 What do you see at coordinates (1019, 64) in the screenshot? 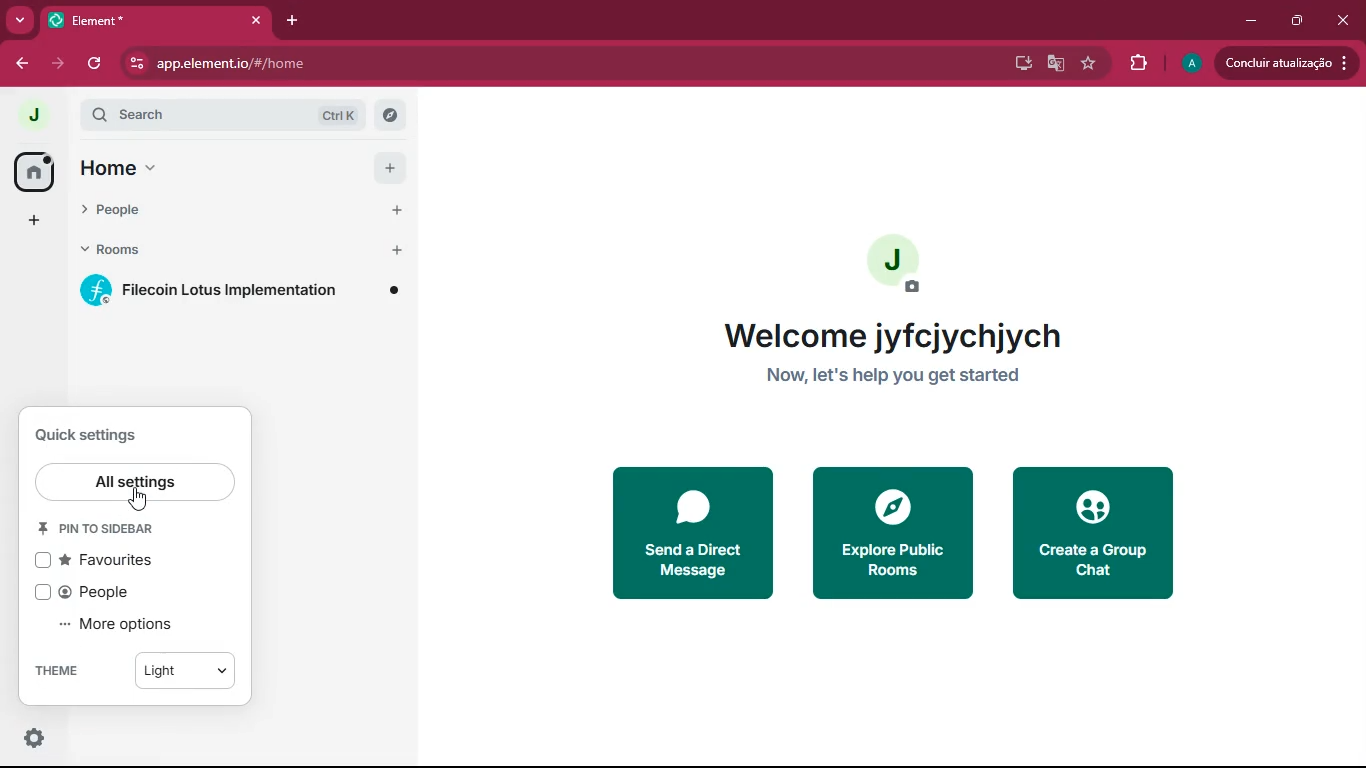
I see `desktop` at bounding box center [1019, 64].